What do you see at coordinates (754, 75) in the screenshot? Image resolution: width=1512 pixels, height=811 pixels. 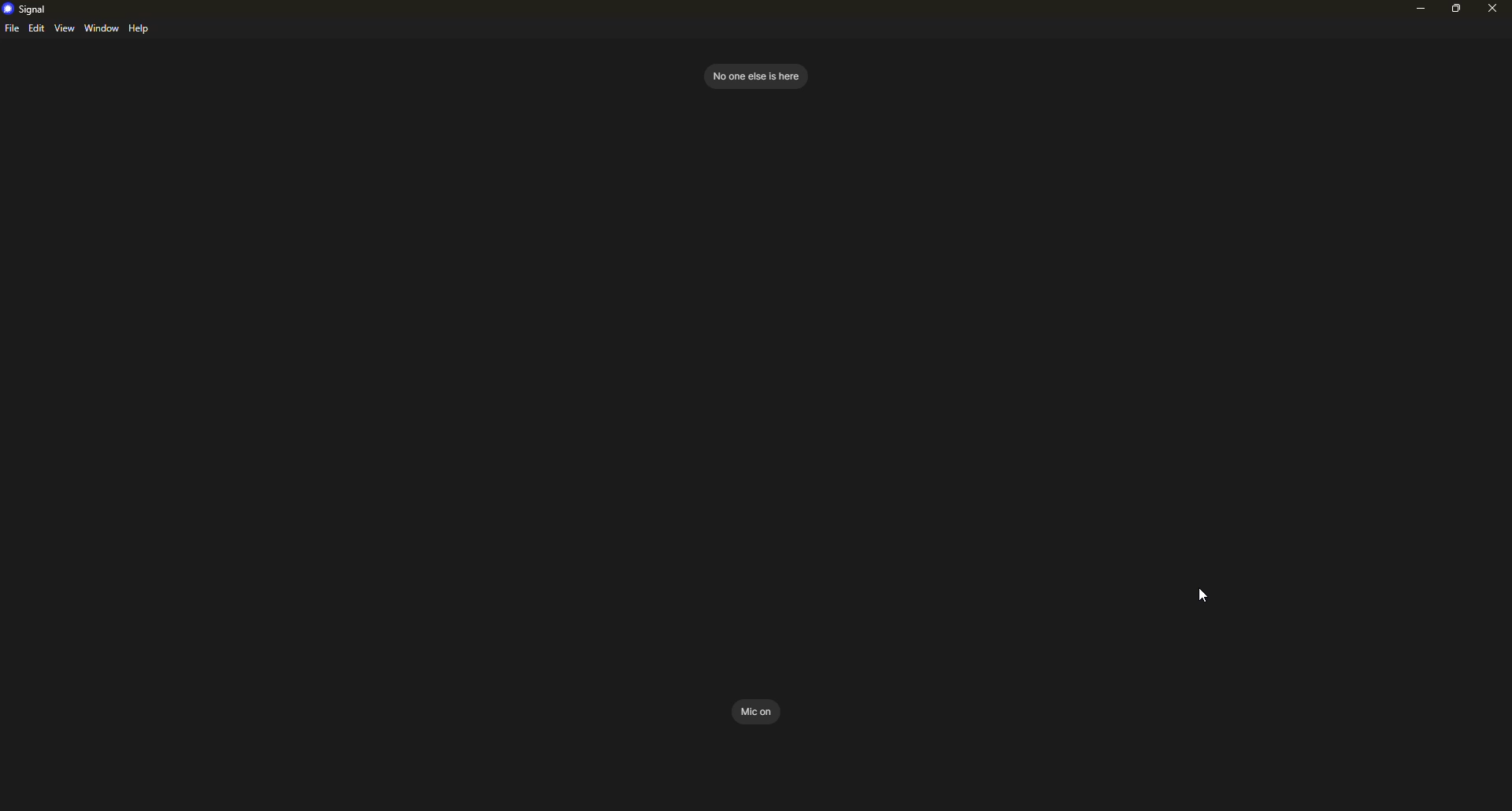 I see `no one else is here` at bounding box center [754, 75].